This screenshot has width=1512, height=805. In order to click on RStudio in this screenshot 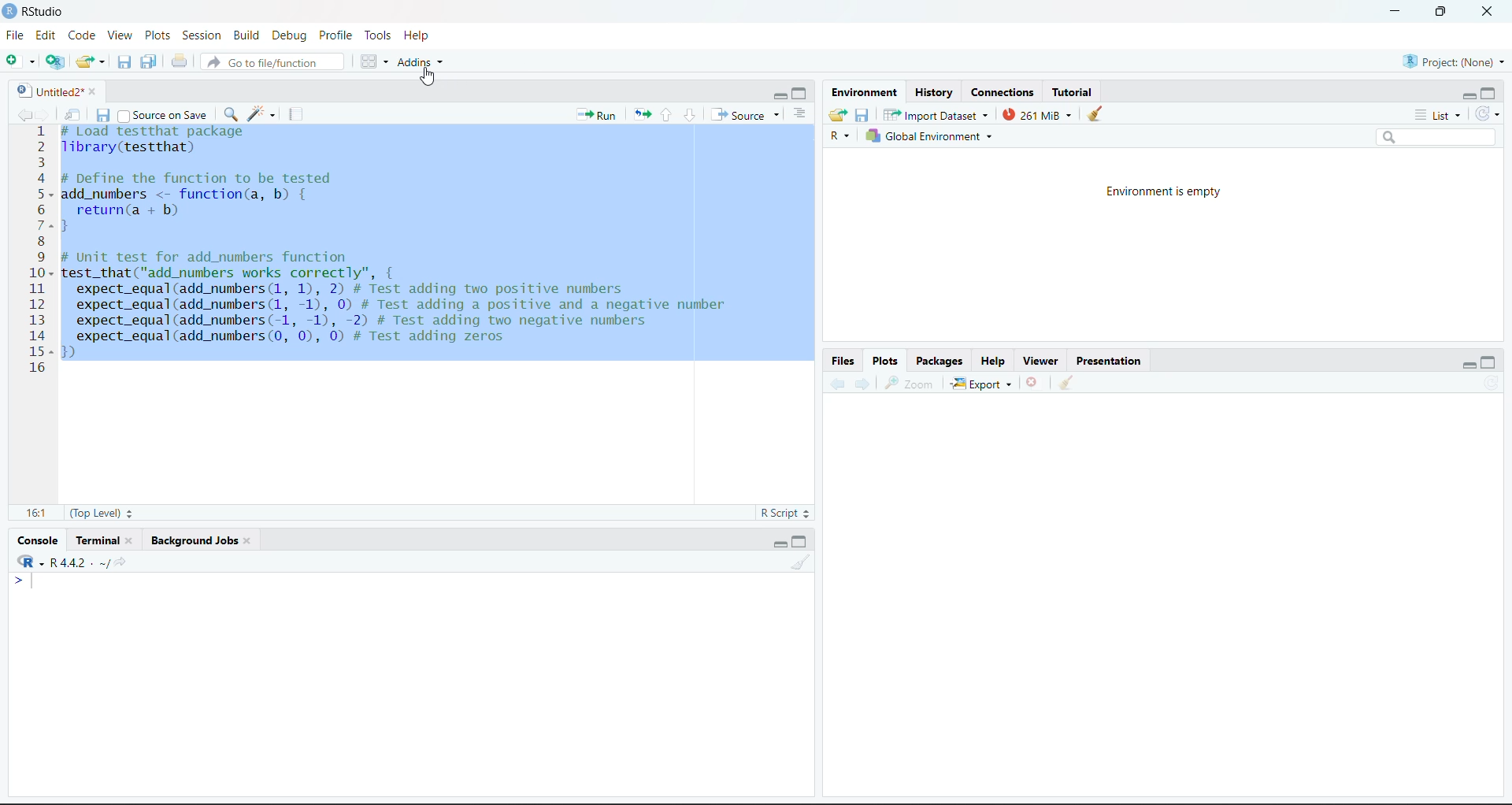, I will do `click(43, 12)`.